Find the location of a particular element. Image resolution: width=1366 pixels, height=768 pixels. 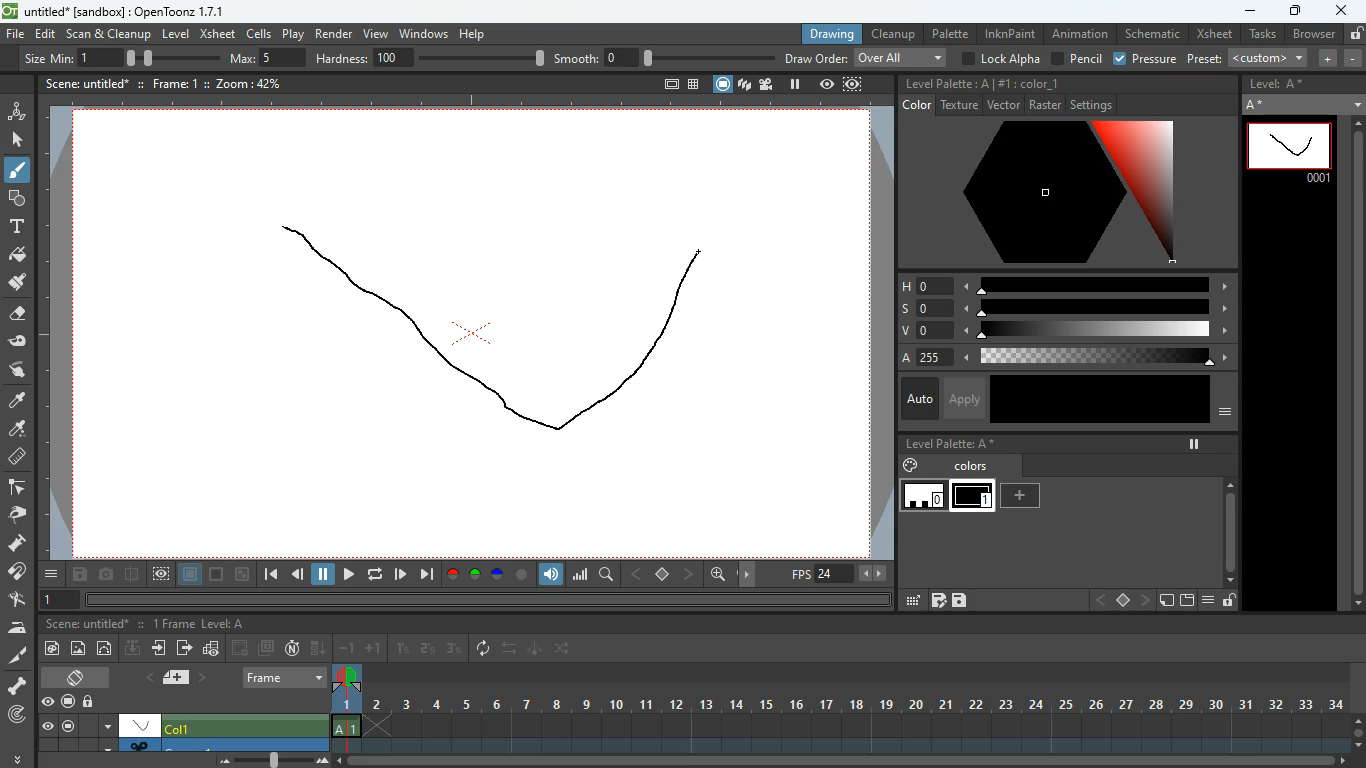

divide is located at coordinates (133, 577).